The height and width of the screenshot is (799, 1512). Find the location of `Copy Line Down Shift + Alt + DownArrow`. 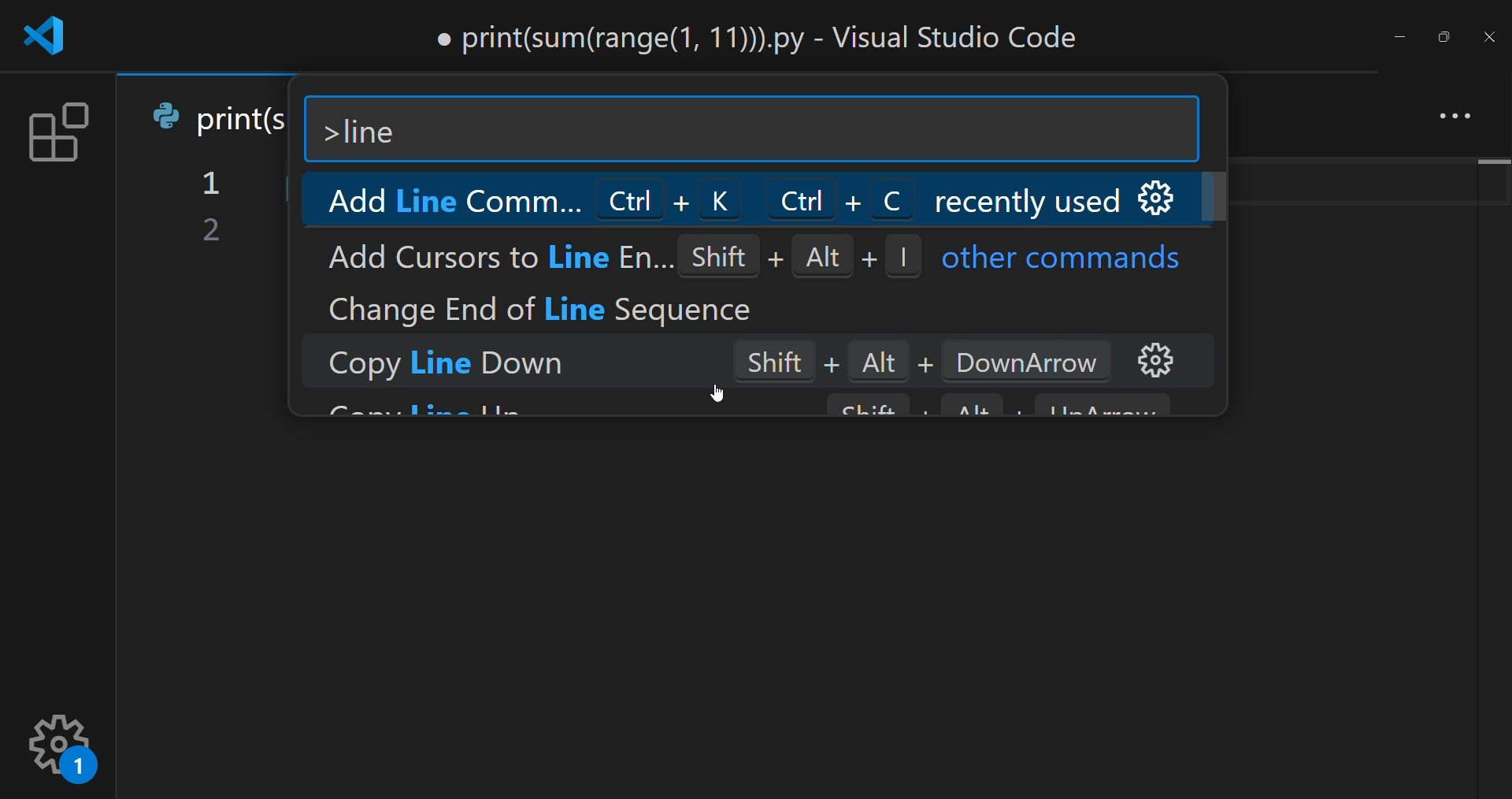

Copy Line Down Shift + Alt + DownArrow is located at coordinates (709, 367).